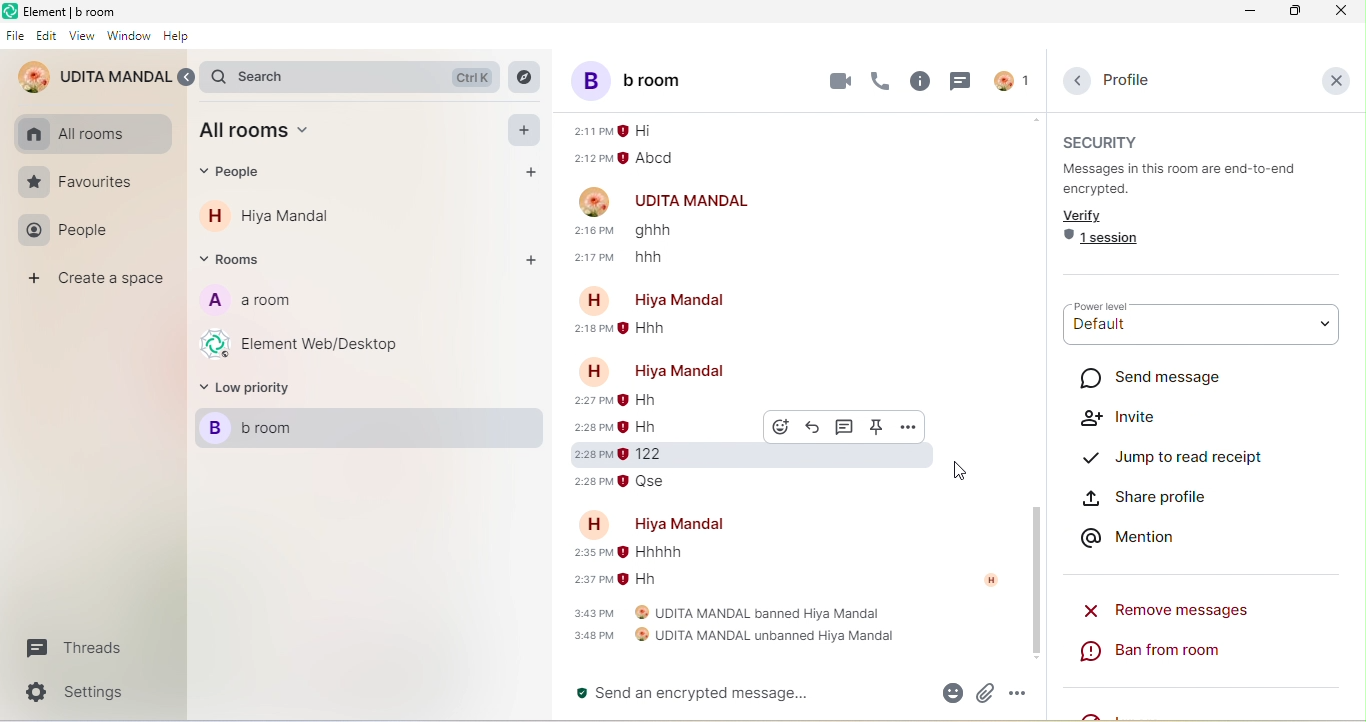 The height and width of the screenshot is (722, 1366). What do you see at coordinates (1248, 11) in the screenshot?
I see `minimize` at bounding box center [1248, 11].